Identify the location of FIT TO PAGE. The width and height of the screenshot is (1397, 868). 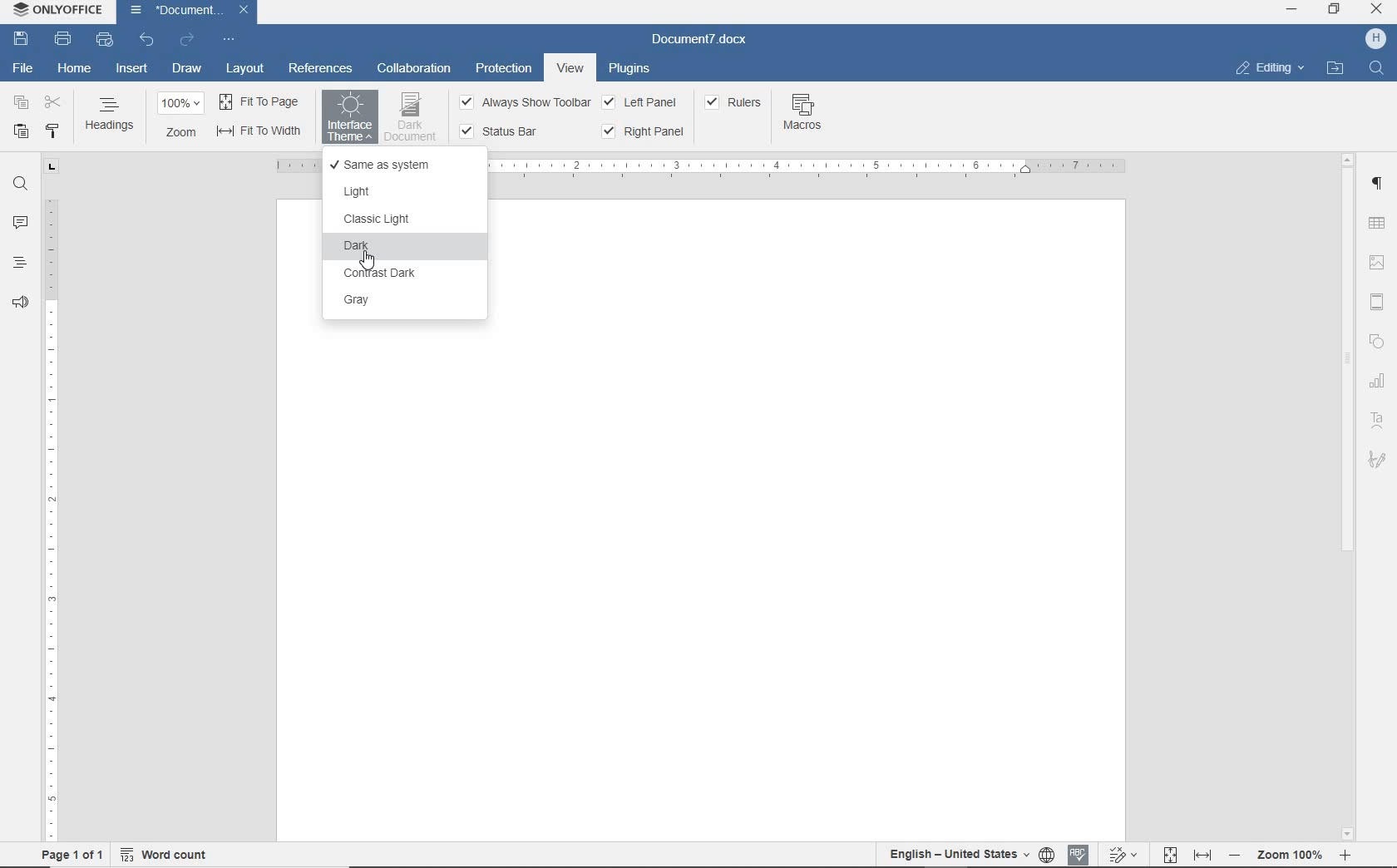
(1172, 855).